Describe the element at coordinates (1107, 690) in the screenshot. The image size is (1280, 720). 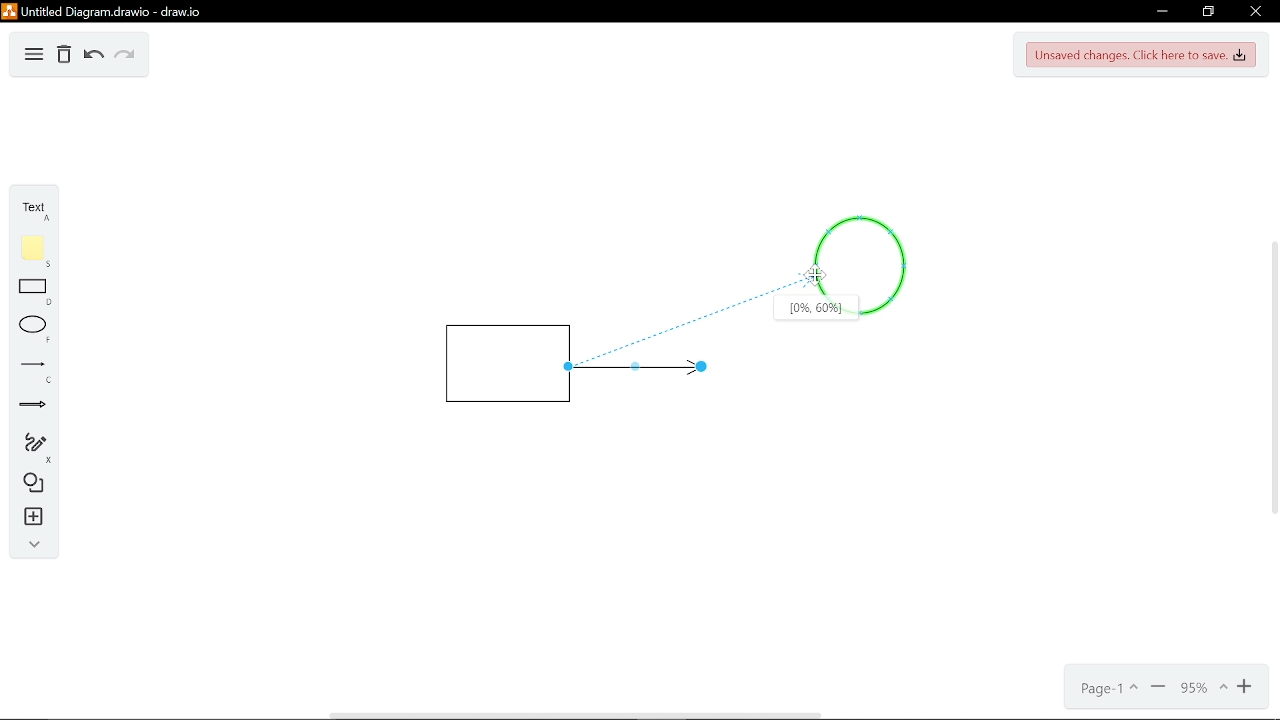
I see `Page- 1` at that location.